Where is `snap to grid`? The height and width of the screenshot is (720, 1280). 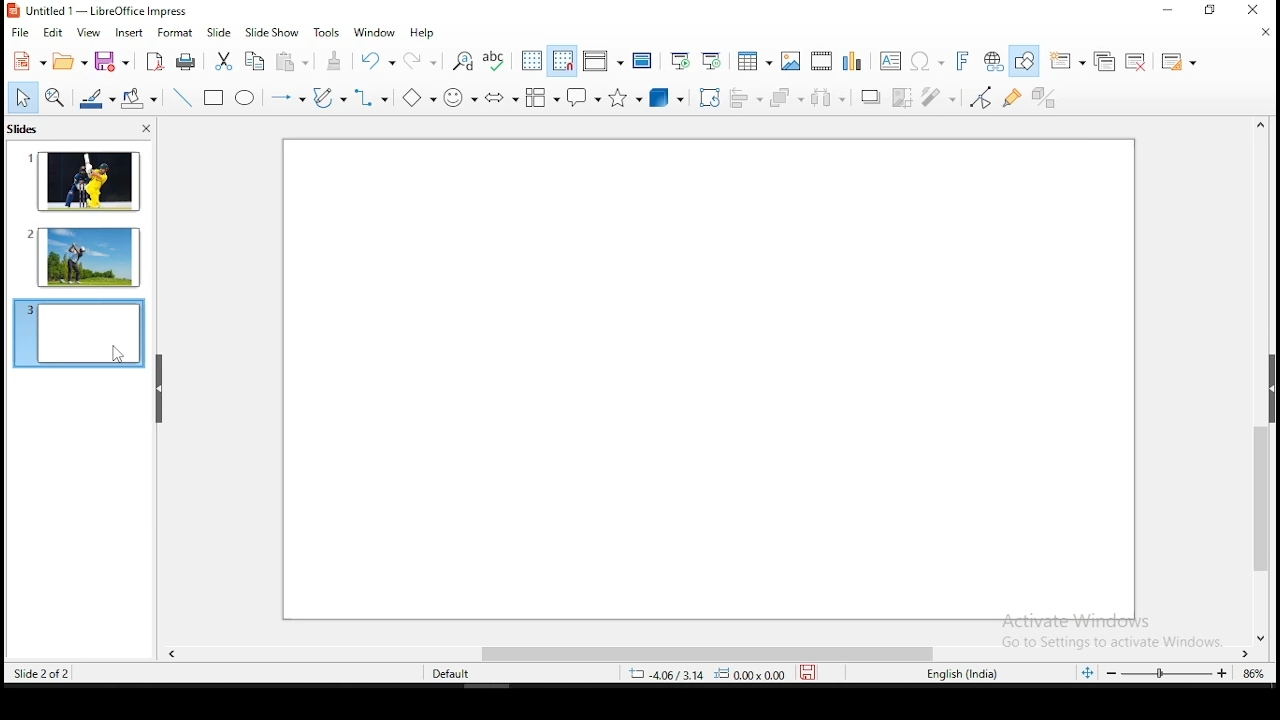
snap to grid is located at coordinates (563, 60).